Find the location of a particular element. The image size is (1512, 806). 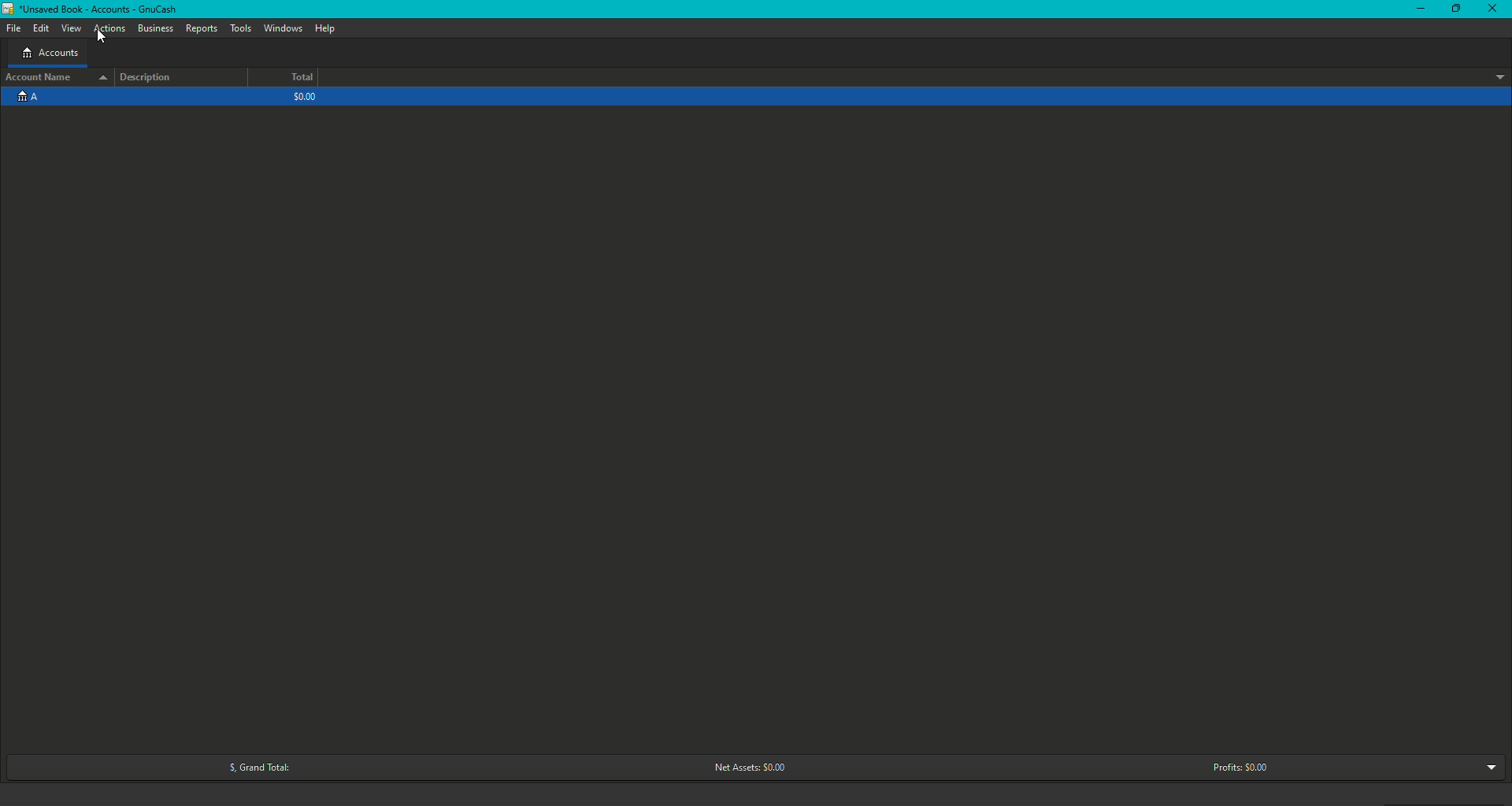

Edit is located at coordinates (41, 30).